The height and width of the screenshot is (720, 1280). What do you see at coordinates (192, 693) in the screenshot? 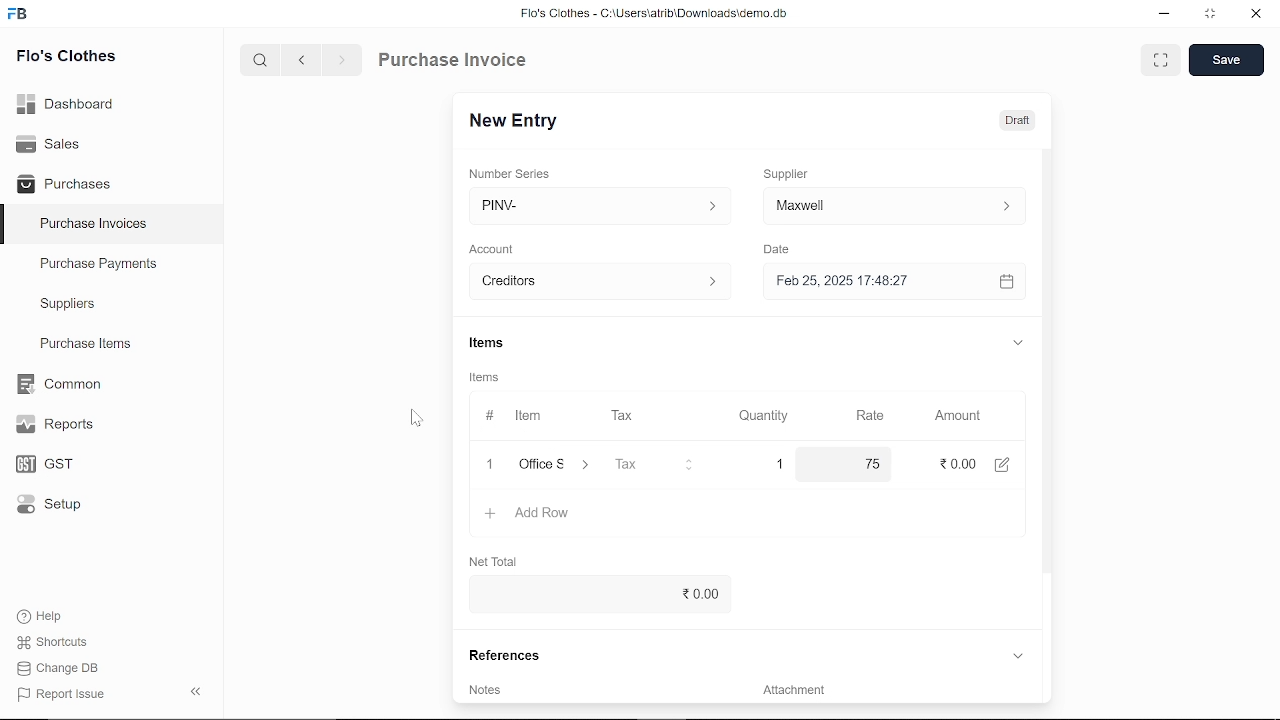
I see `hide` at bounding box center [192, 693].